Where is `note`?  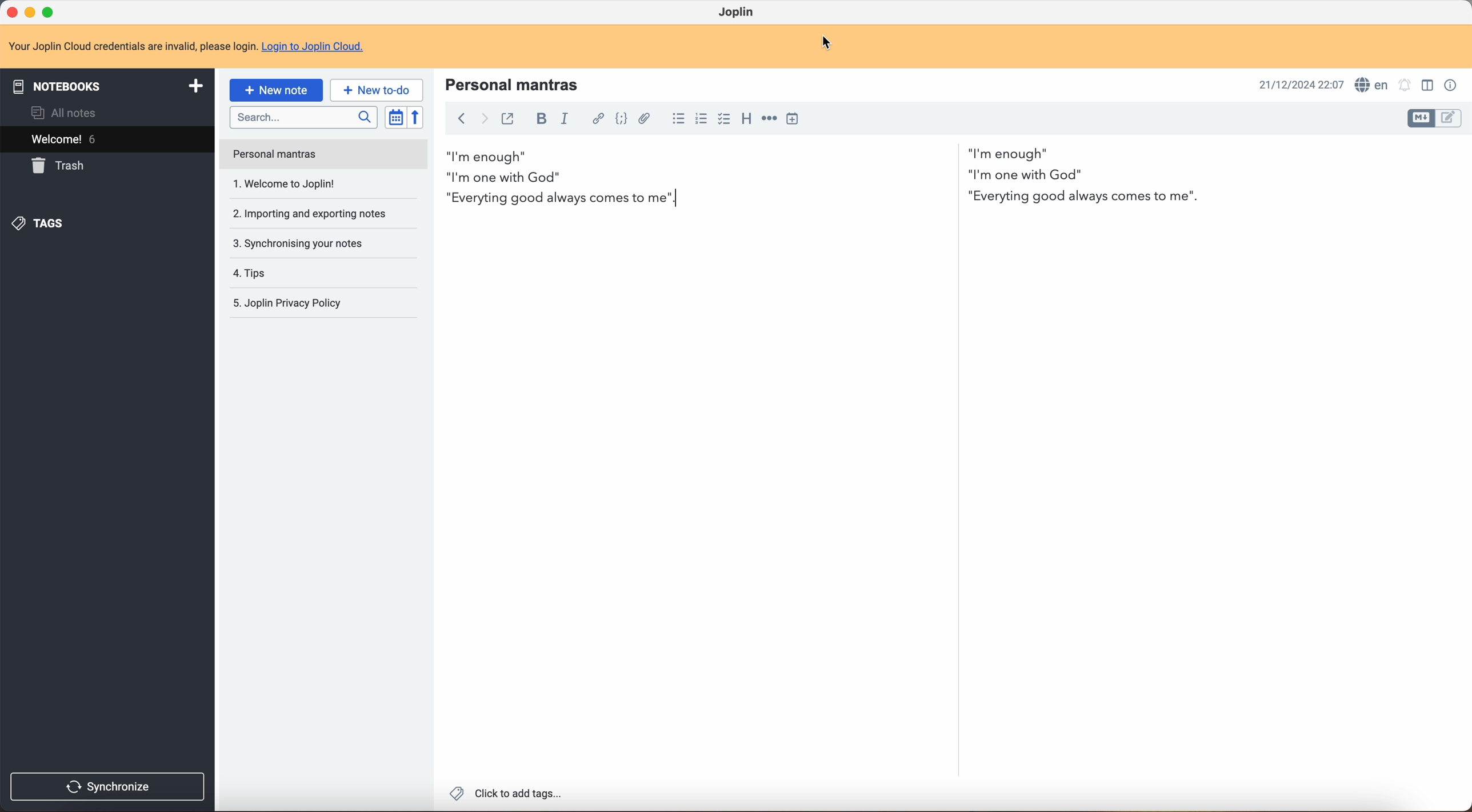 note is located at coordinates (187, 47).